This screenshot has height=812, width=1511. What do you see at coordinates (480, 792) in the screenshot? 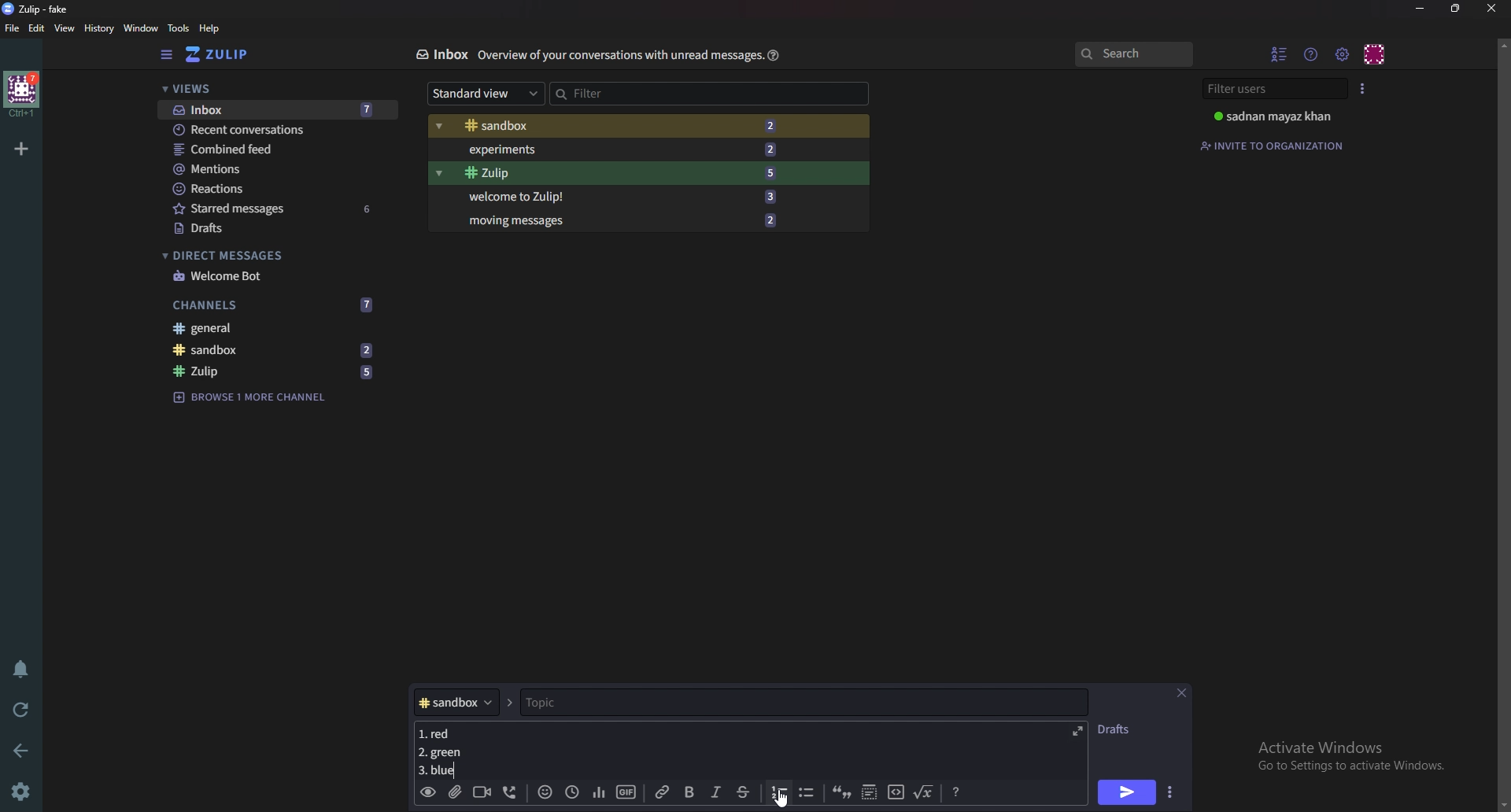
I see `Video call` at bounding box center [480, 792].